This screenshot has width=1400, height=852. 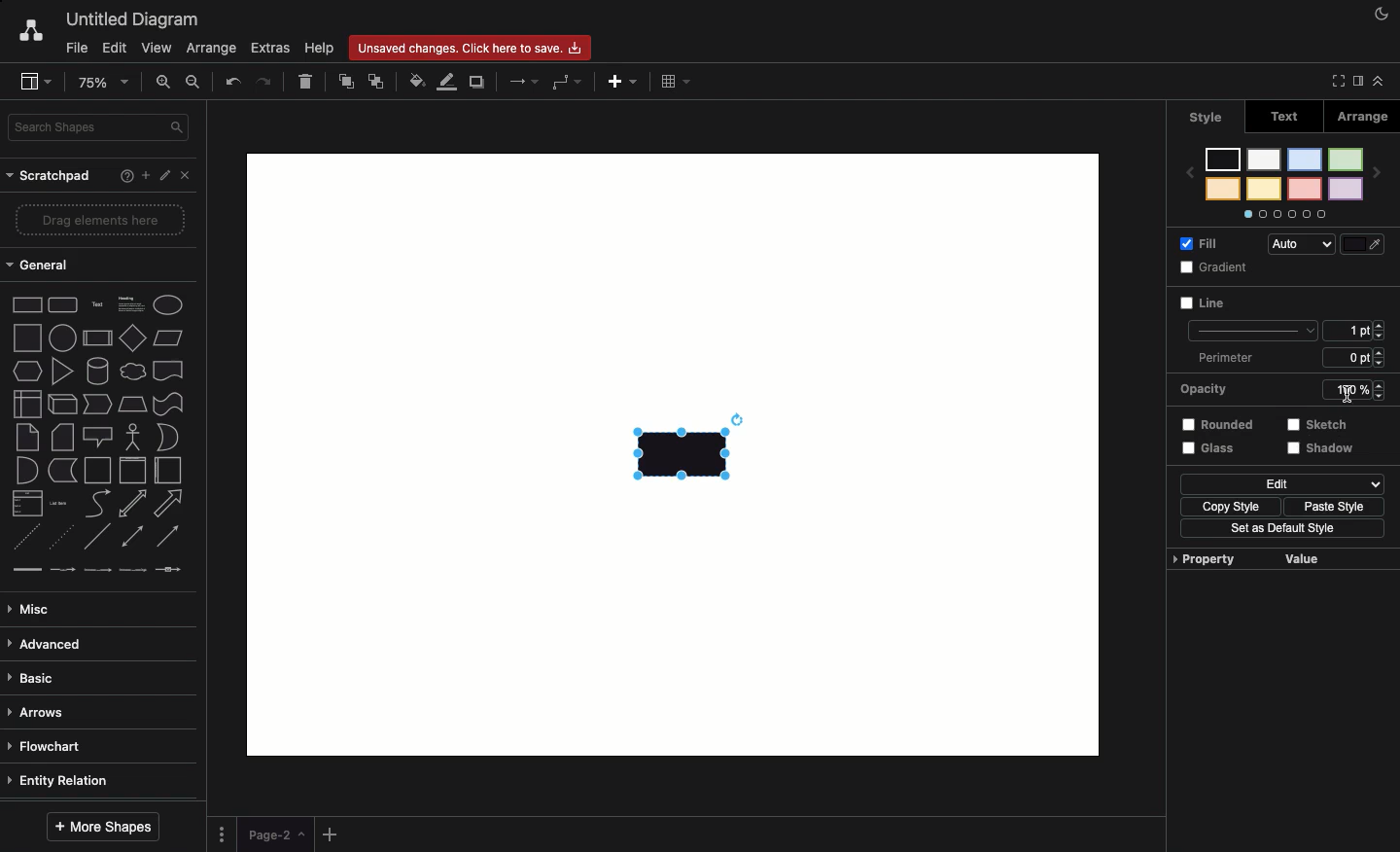 What do you see at coordinates (346, 81) in the screenshot?
I see `To front` at bounding box center [346, 81].